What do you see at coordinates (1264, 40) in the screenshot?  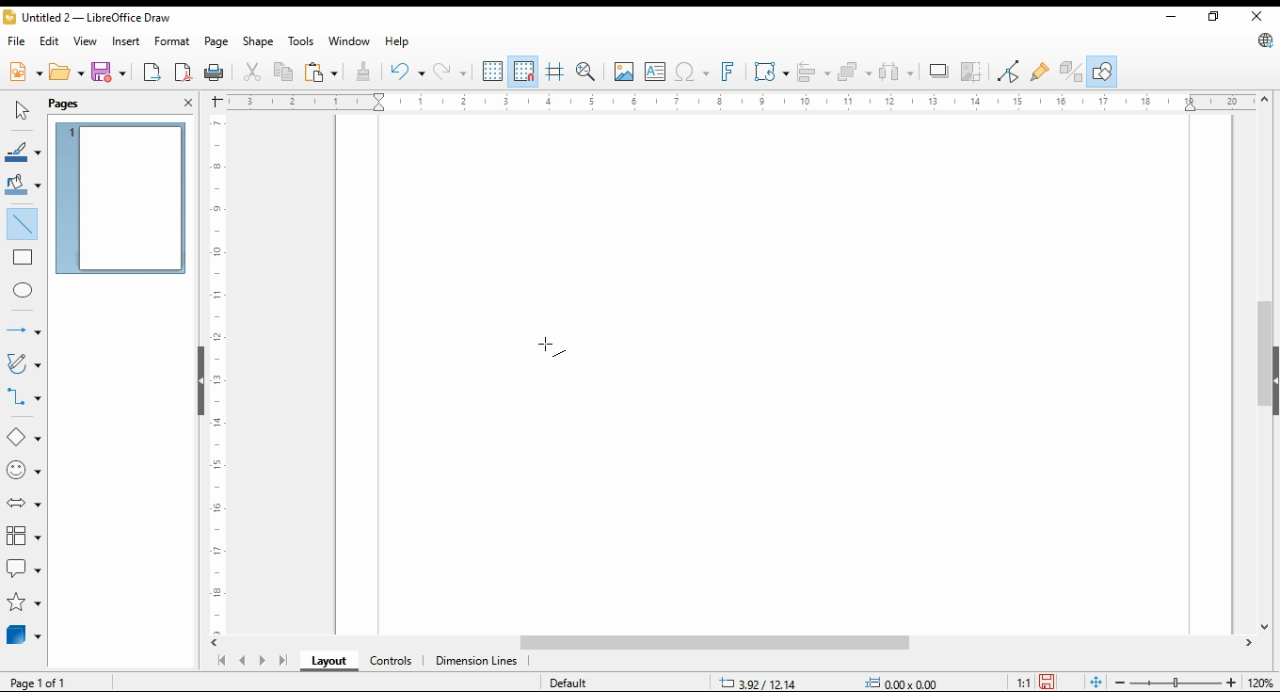 I see `libre office update` at bounding box center [1264, 40].